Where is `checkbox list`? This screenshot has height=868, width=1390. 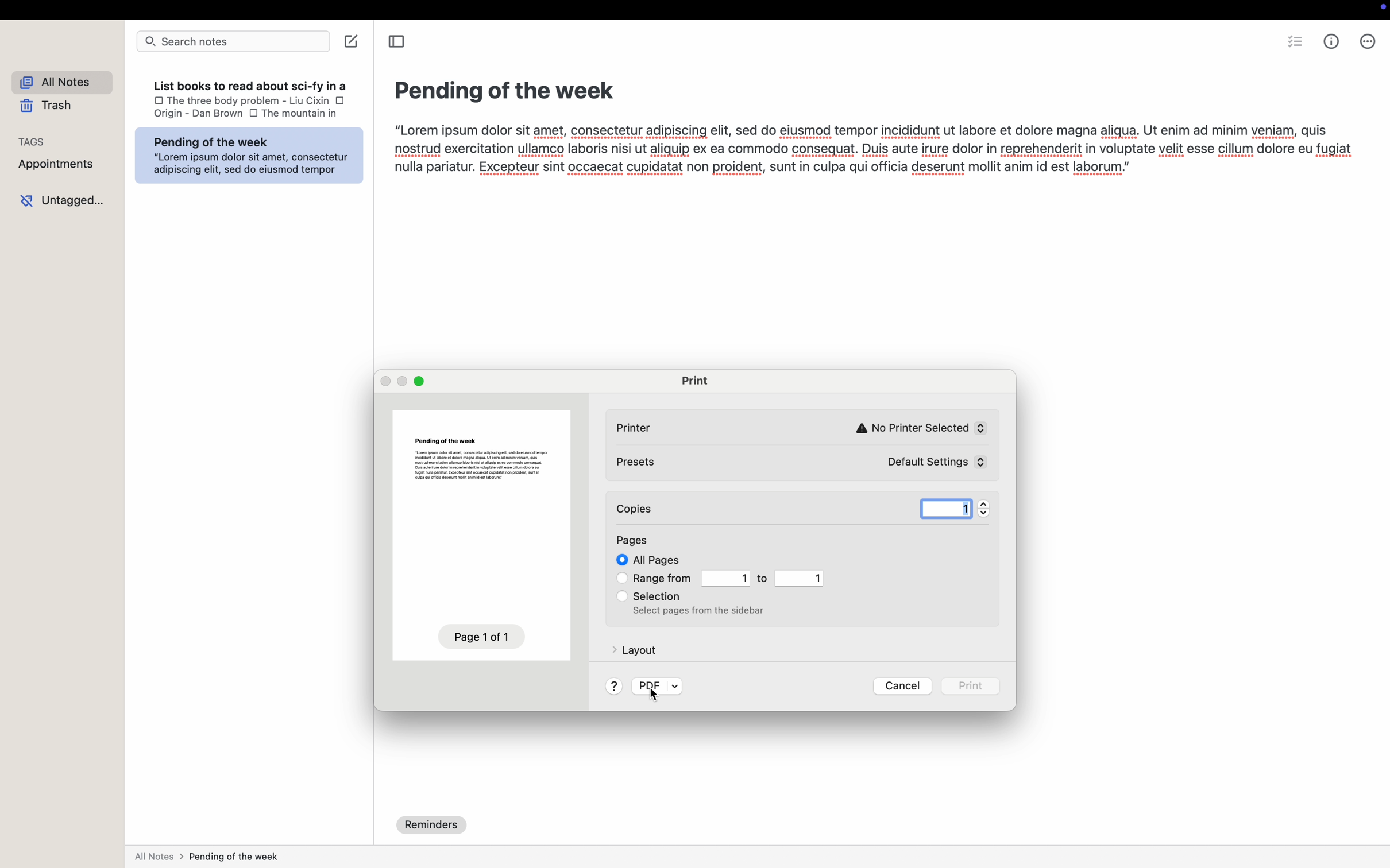
checkbox list is located at coordinates (1295, 44).